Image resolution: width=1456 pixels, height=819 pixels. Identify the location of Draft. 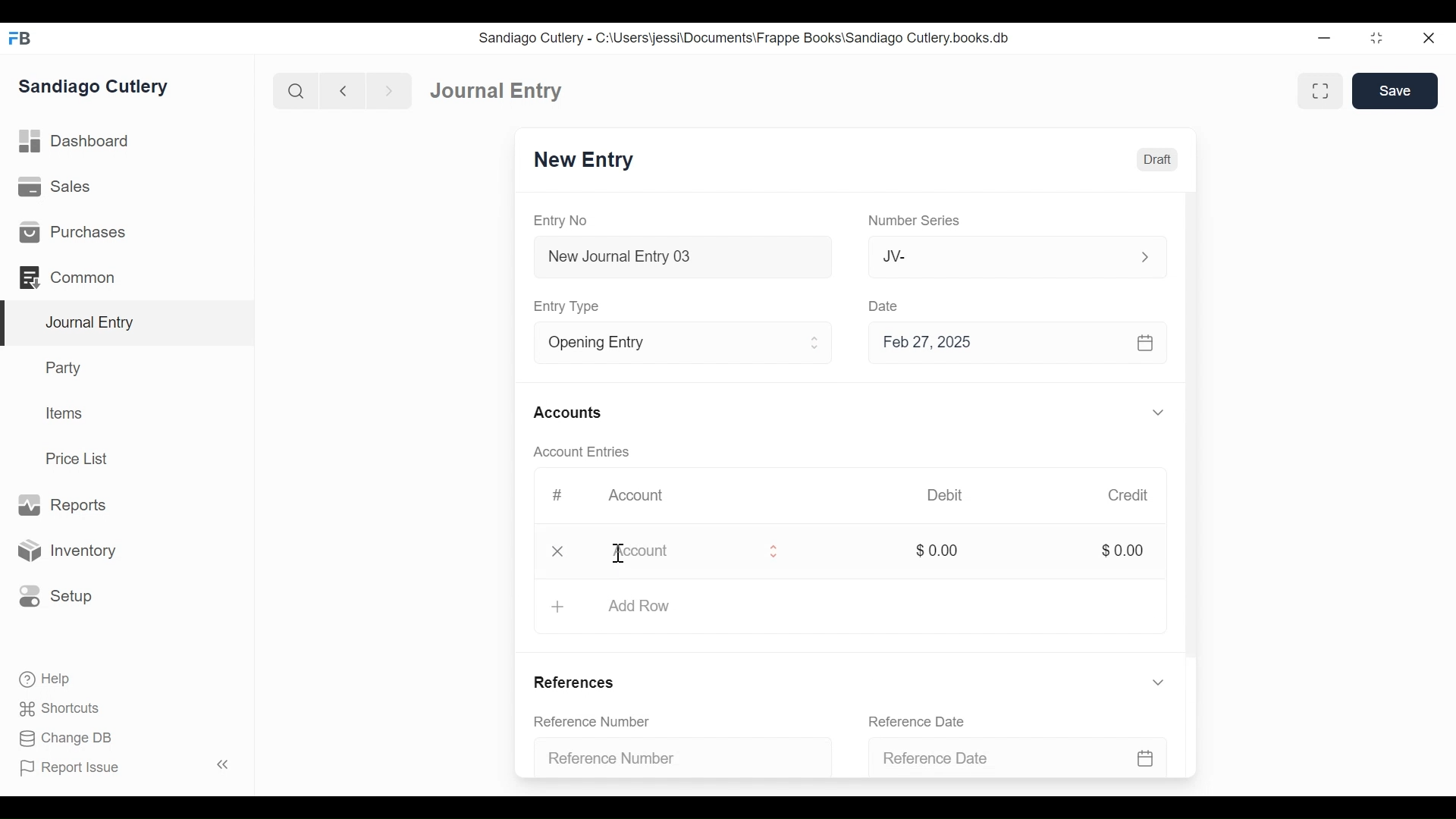
(1156, 161).